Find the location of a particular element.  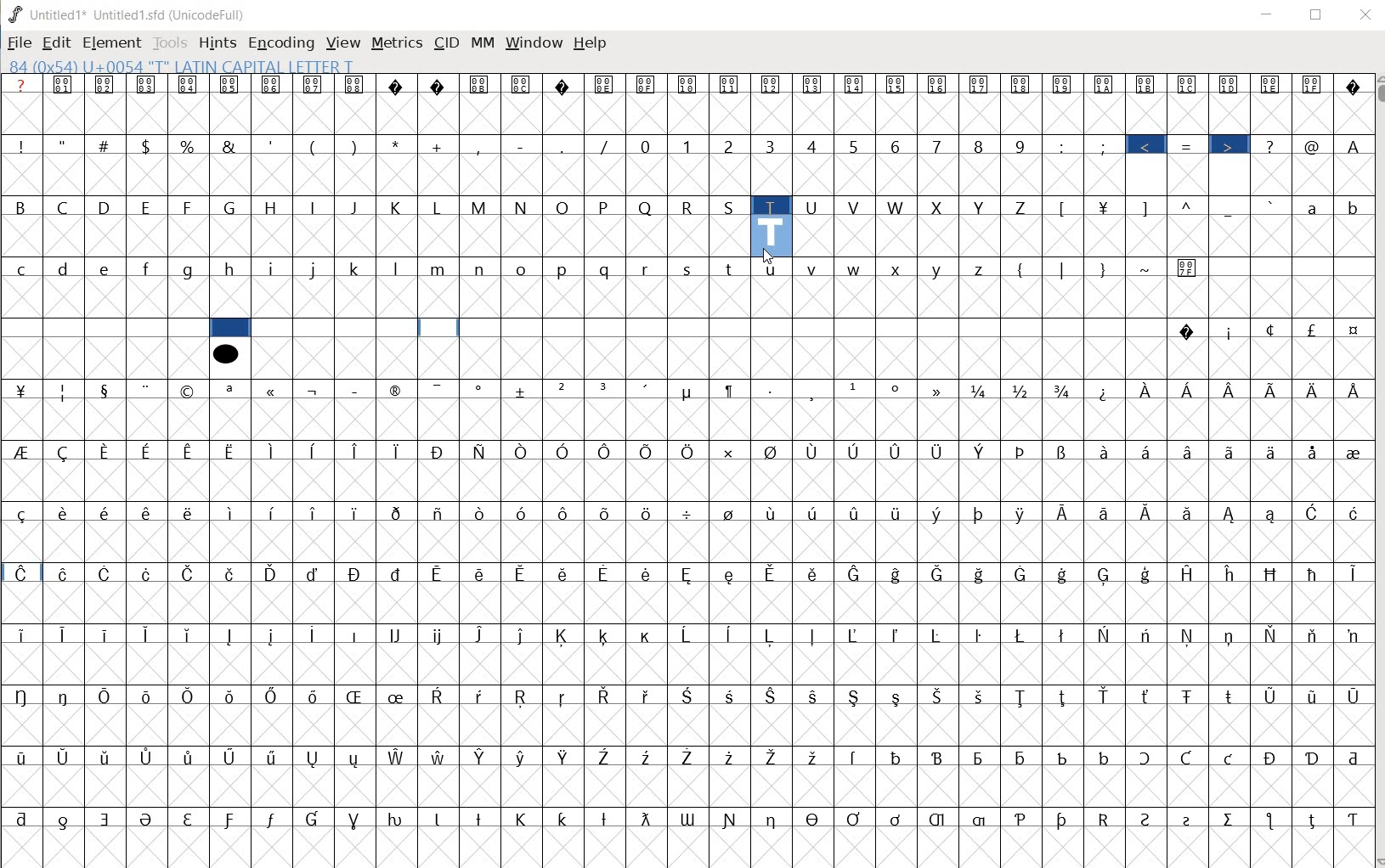

Symbol is located at coordinates (1274, 515).